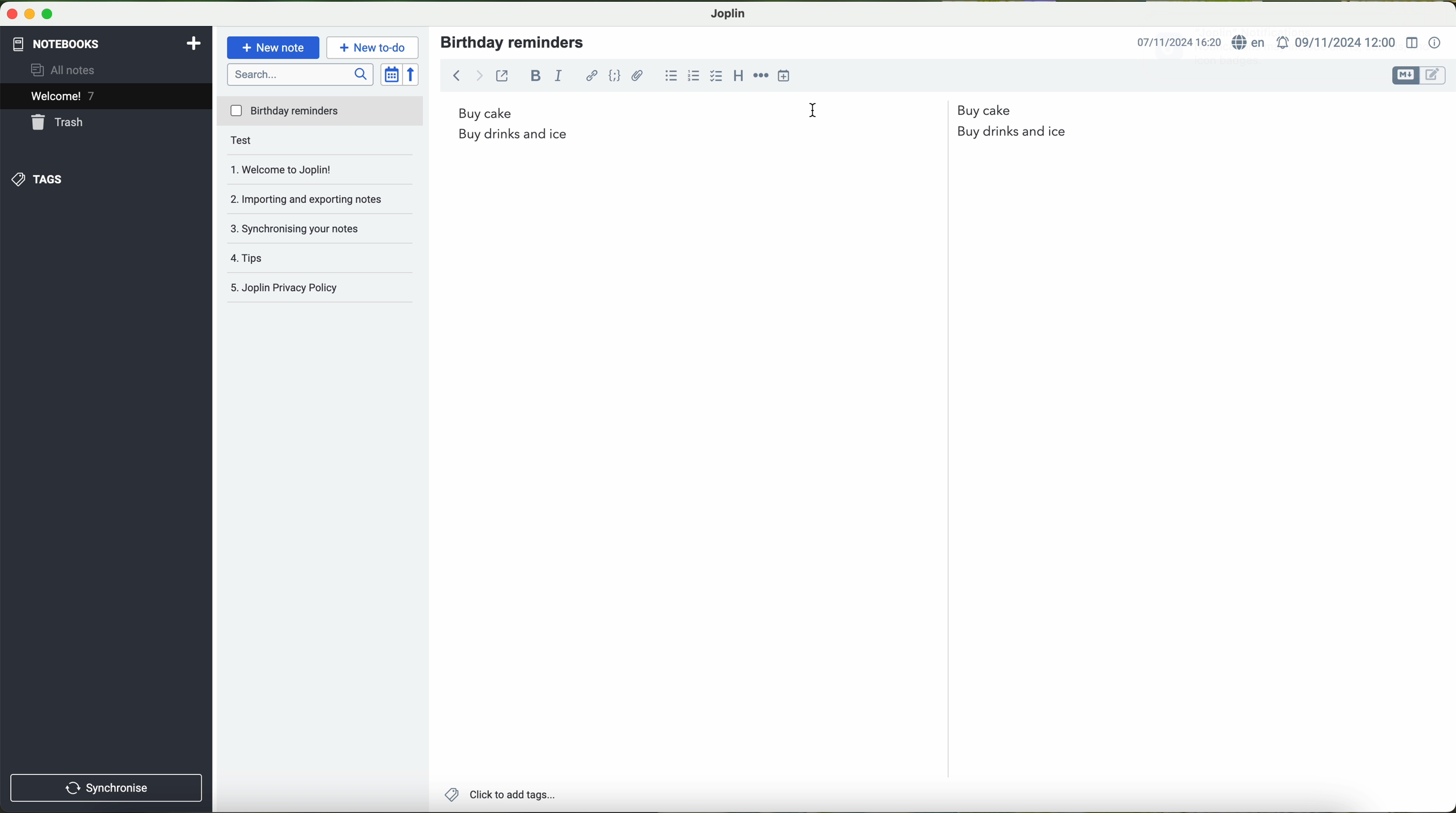 This screenshot has width=1456, height=813. Describe the element at coordinates (300, 76) in the screenshot. I see `search bar` at that location.